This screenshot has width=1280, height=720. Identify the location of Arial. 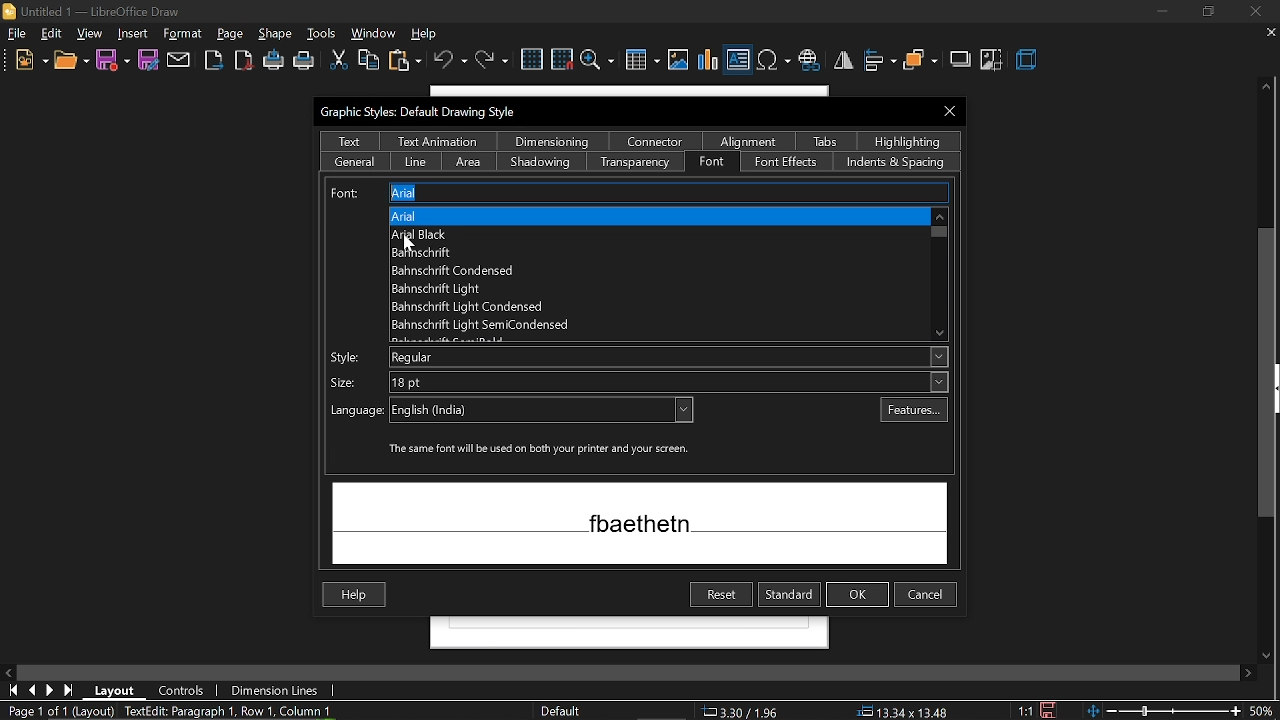
(416, 217).